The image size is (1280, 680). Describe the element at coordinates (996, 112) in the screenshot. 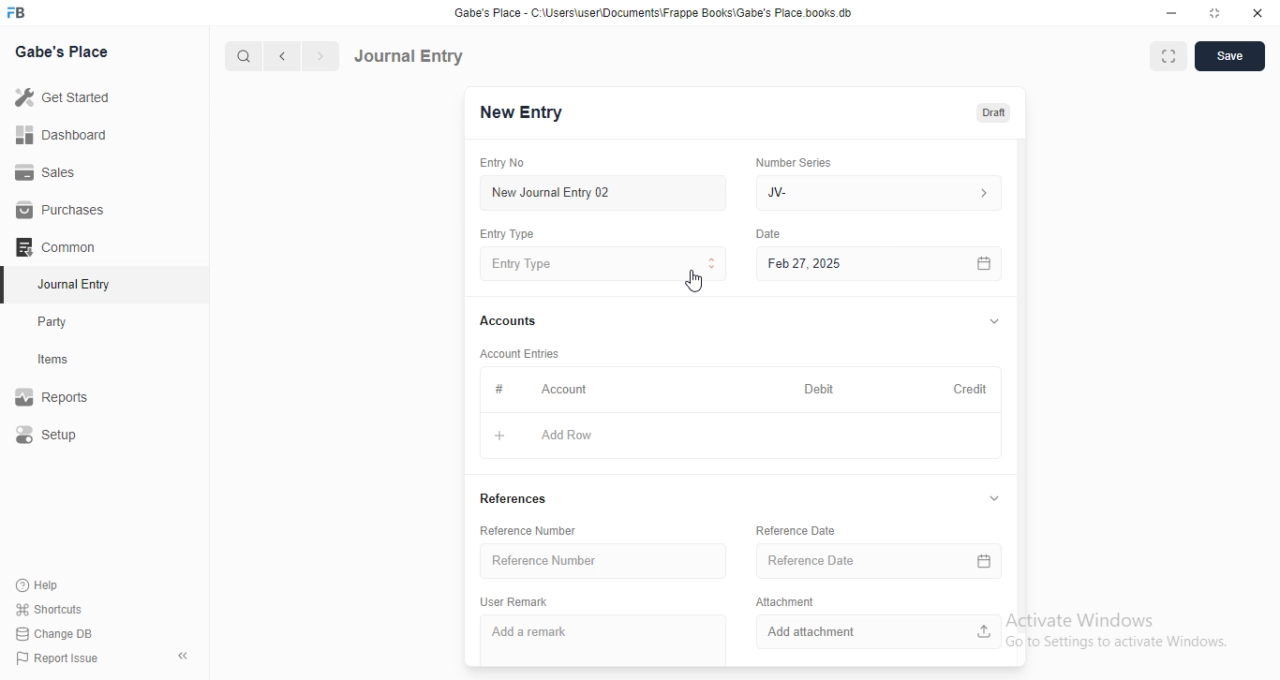

I see `Draft` at that location.